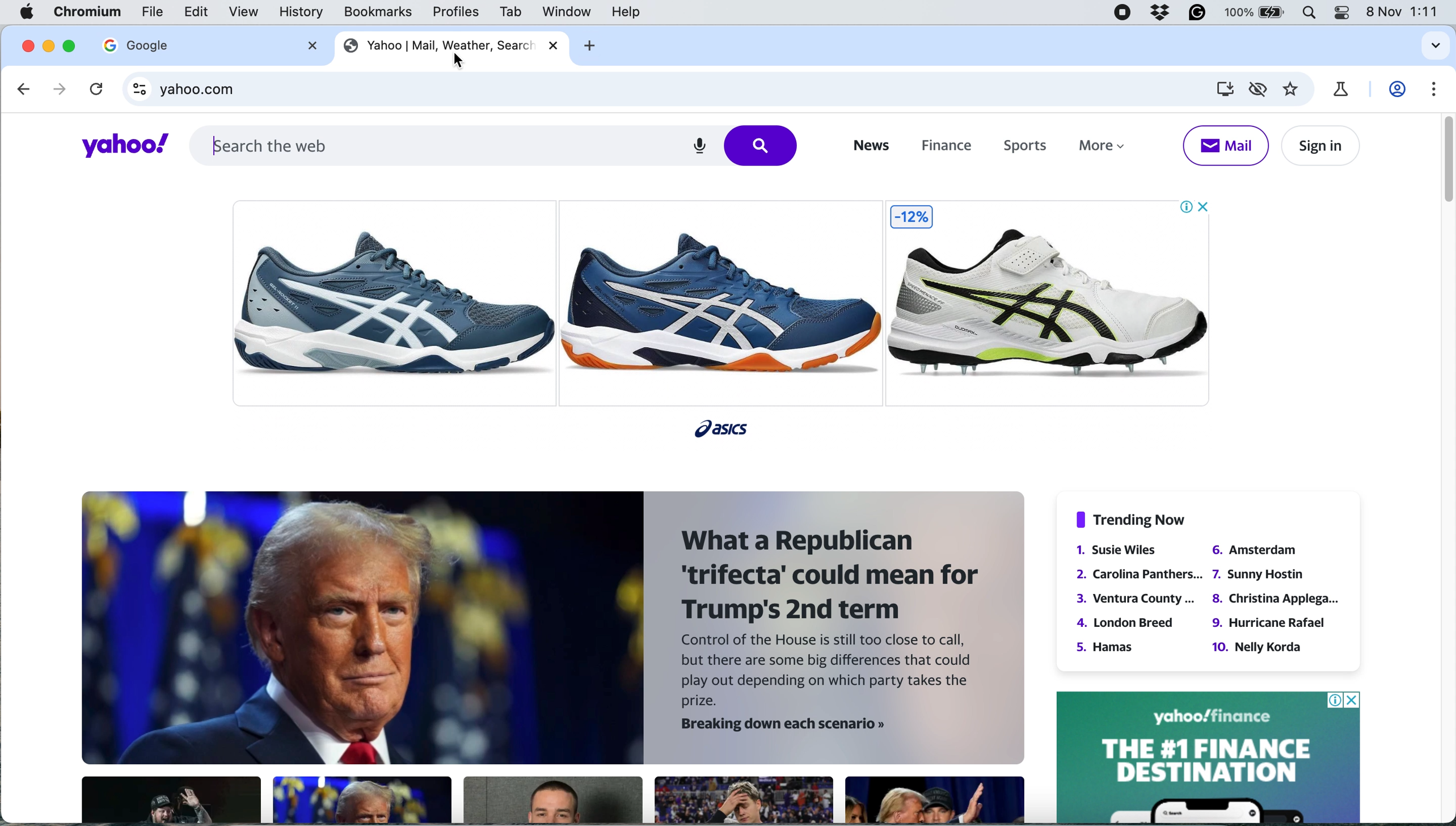 This screenshot has height=826, width=1456. What do you see at coordinates (553, 45) in the screenshot?
I see `close` at bounding box center [553, 45].